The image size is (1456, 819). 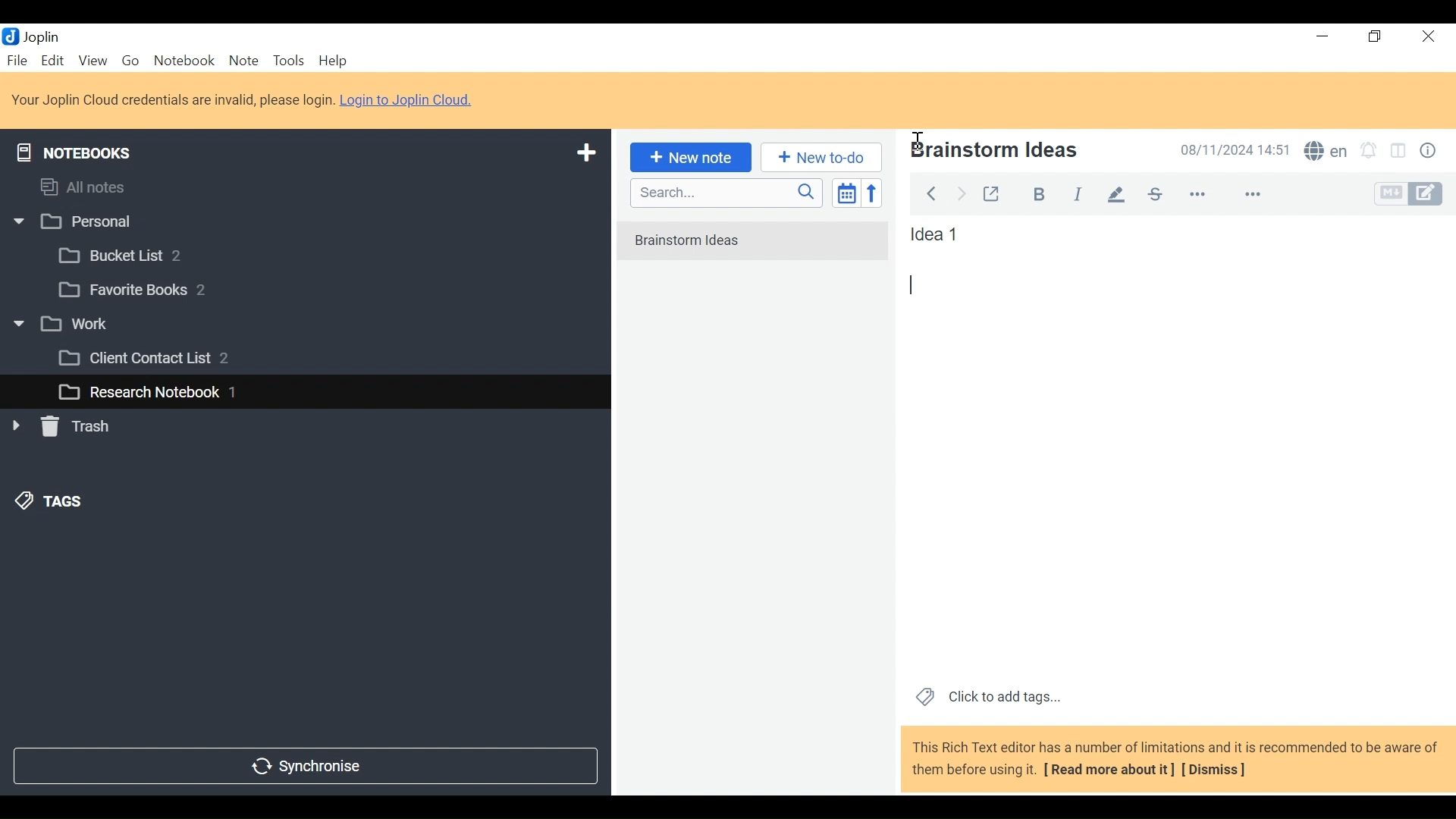 What do you see at coordinates (991, 191) in the screenshot?
I see `Toggle external editing` at bounding box center [991, 191].